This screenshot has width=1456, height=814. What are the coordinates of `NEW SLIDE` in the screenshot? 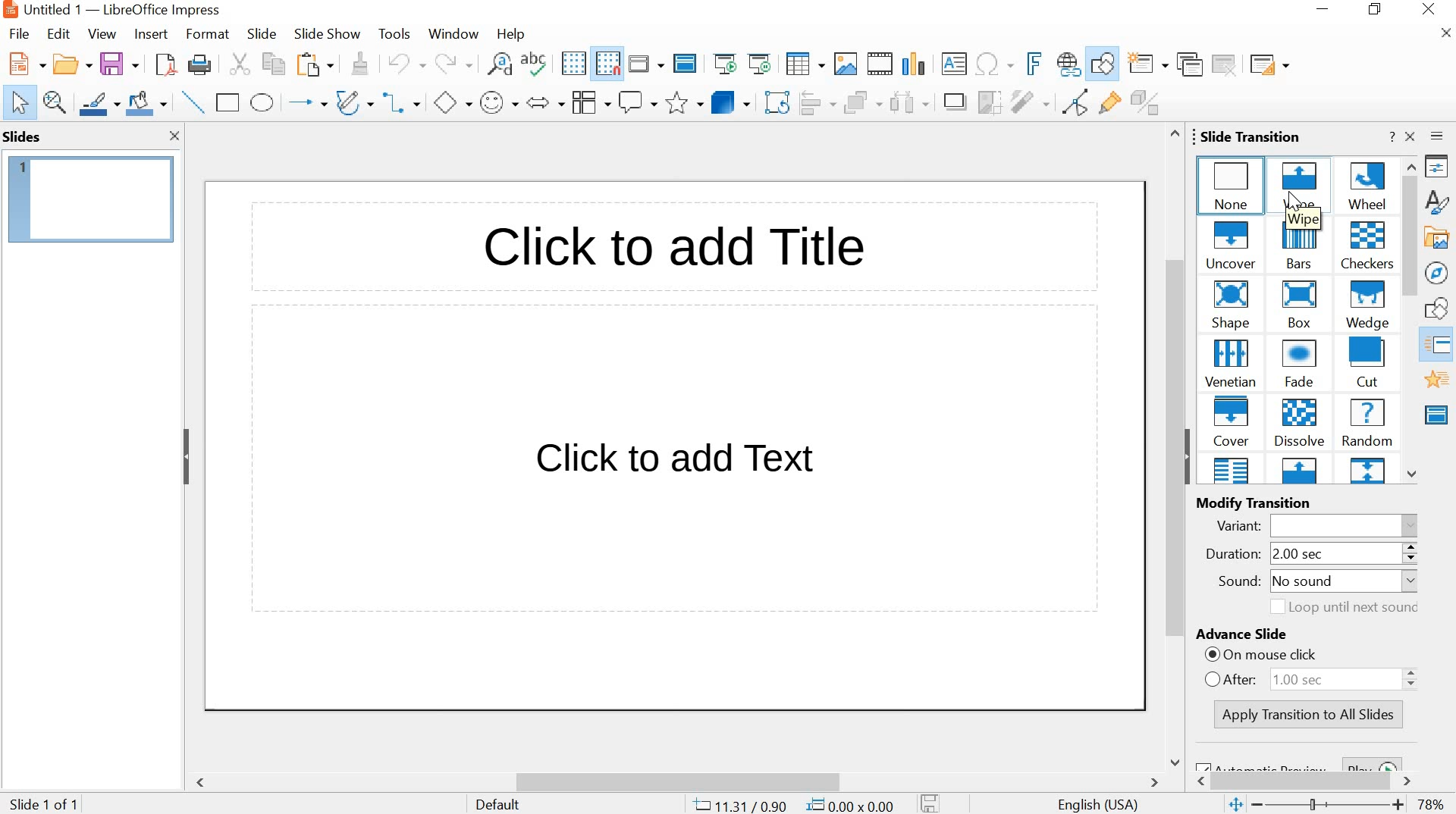 It's located at (1148, 63).